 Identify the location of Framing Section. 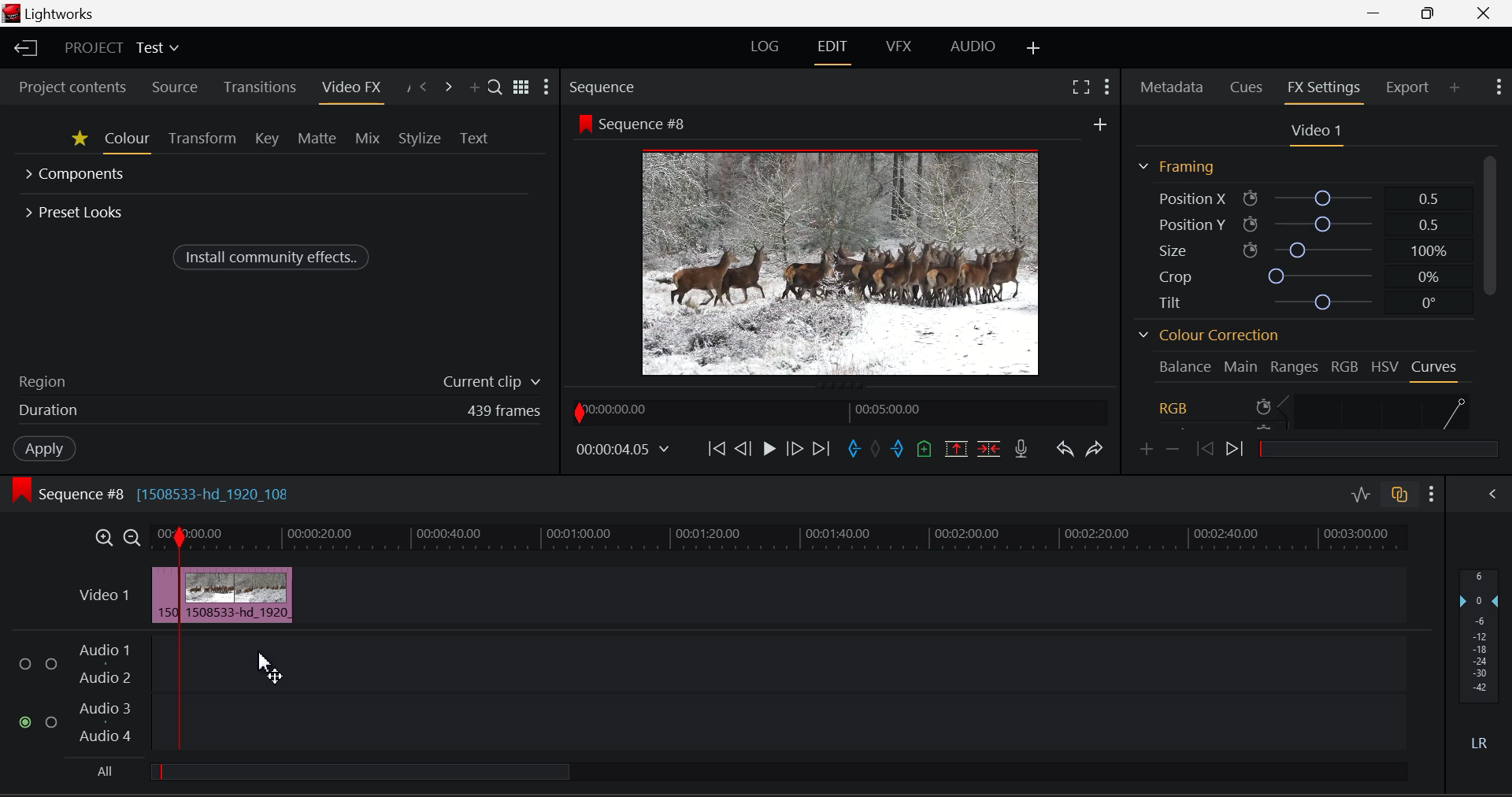
(1176, 166).